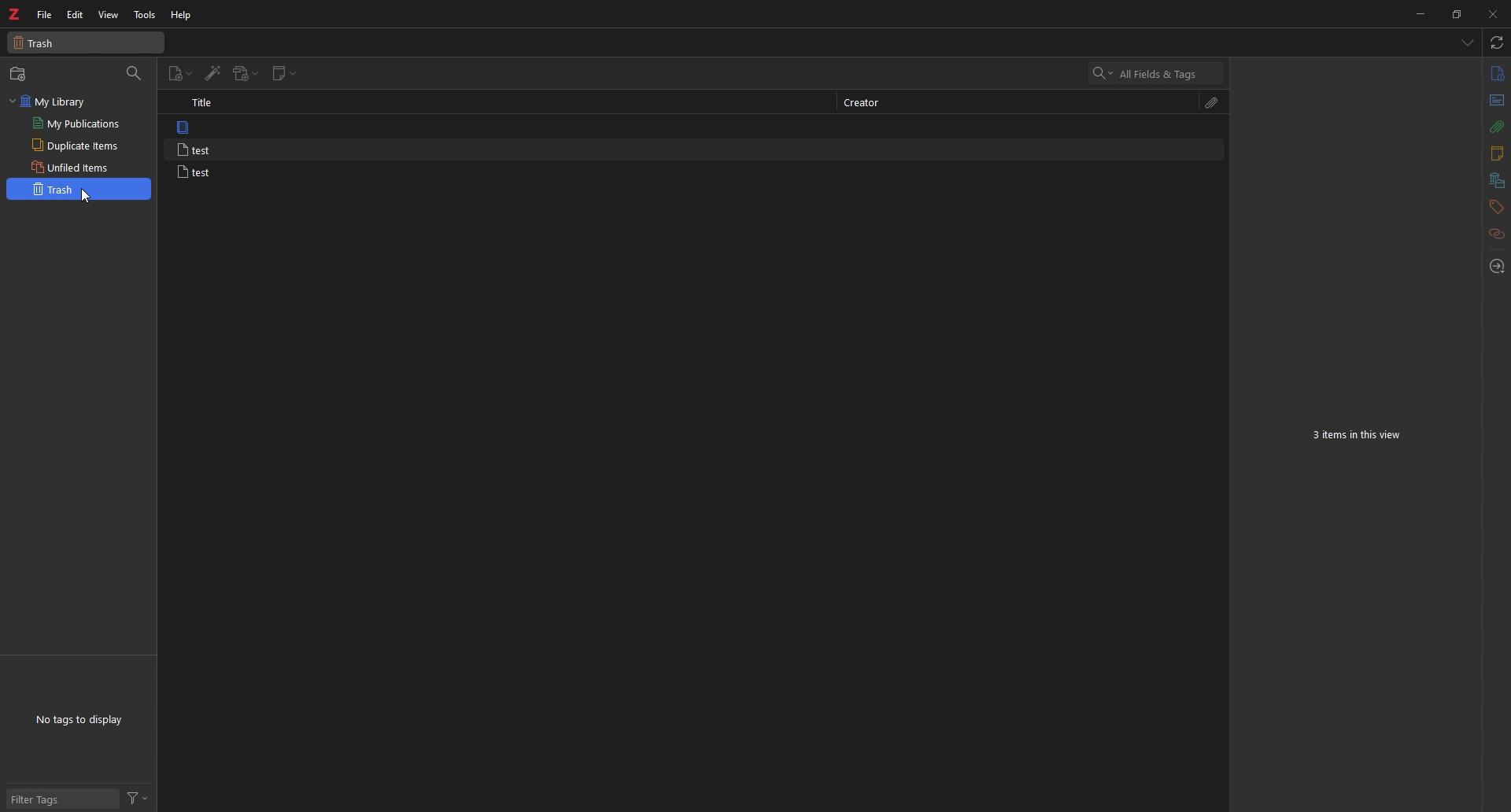  What do you see at coordinates (78, 144) in the screenshot?
I see `duplicate items` at bounding box center [78, 144].